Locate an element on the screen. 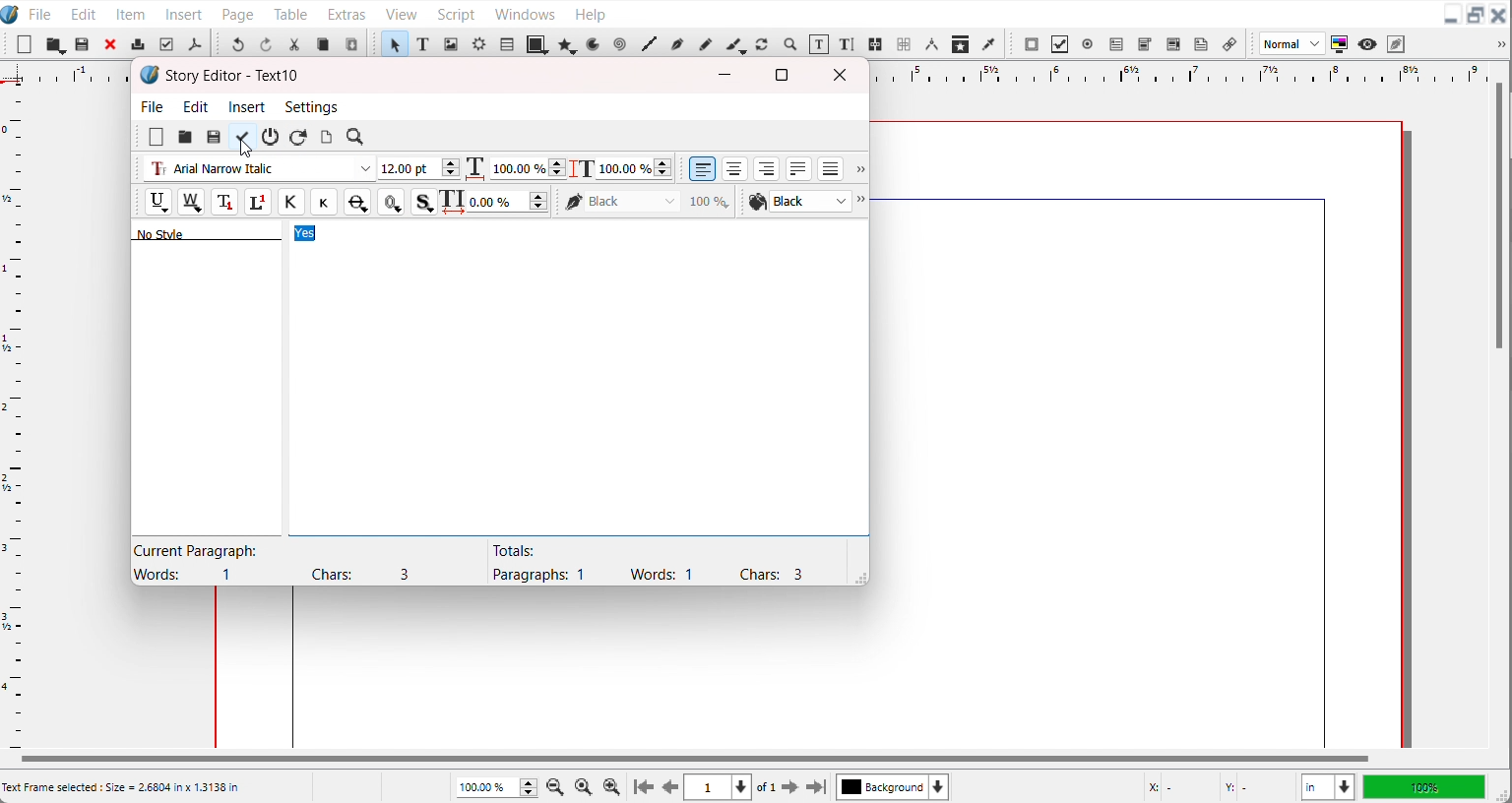  Reload from the text frame is located at coordinates (300, 137).